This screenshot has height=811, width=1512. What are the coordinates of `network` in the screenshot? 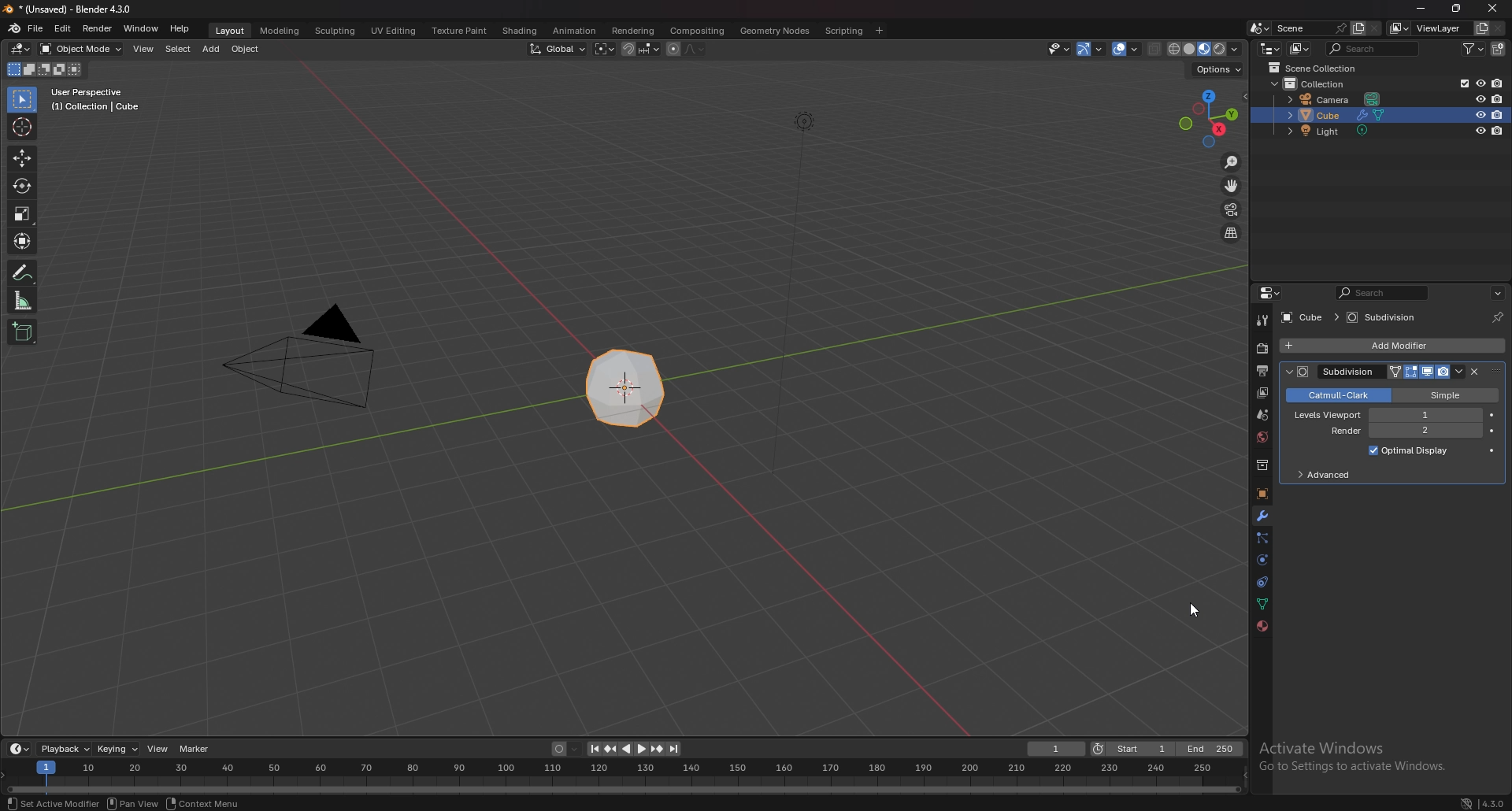 It's located at (1464, 800).